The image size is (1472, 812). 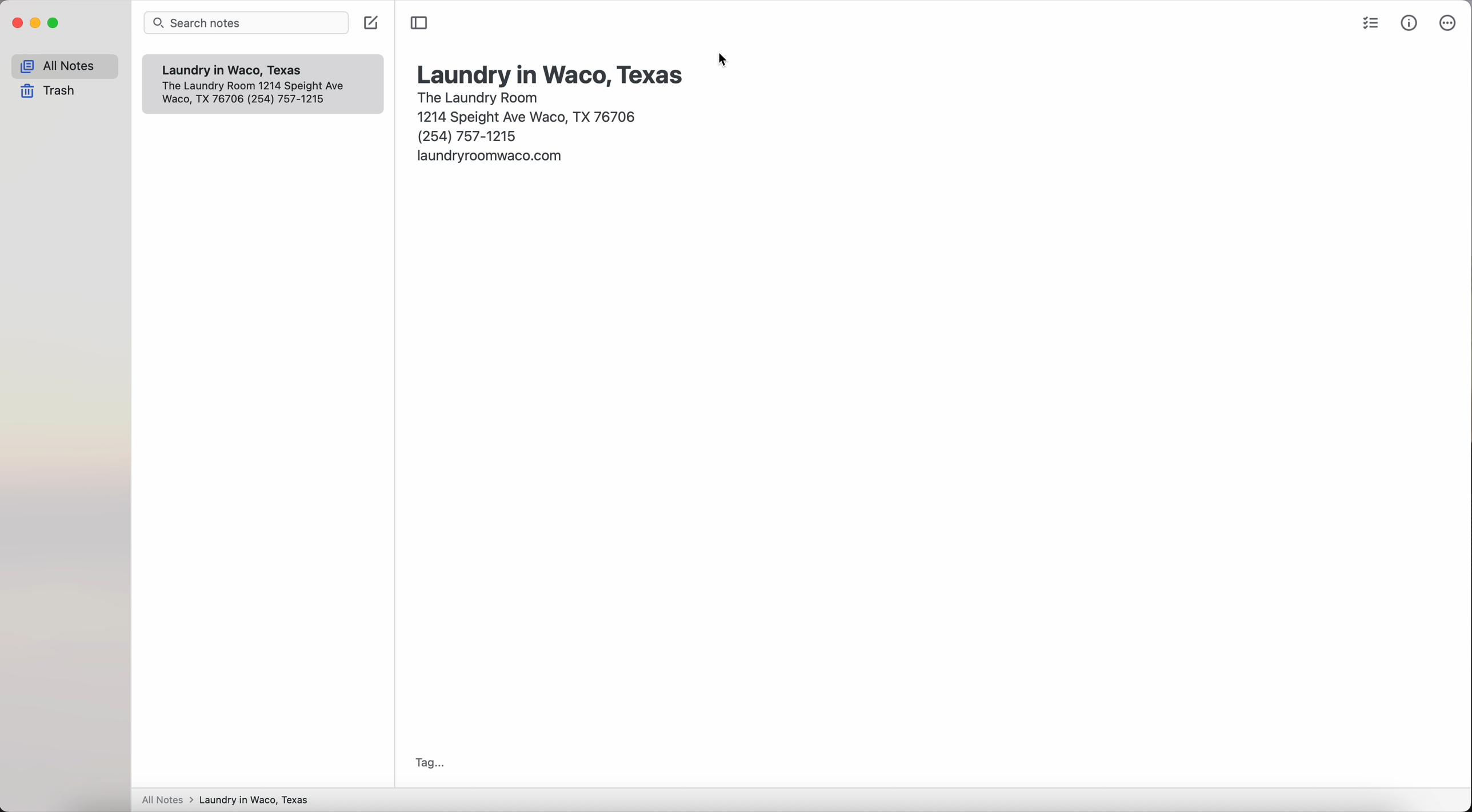 I want to click on All notes > Laundry in Waco, Texas, so click(x=230, y=801).